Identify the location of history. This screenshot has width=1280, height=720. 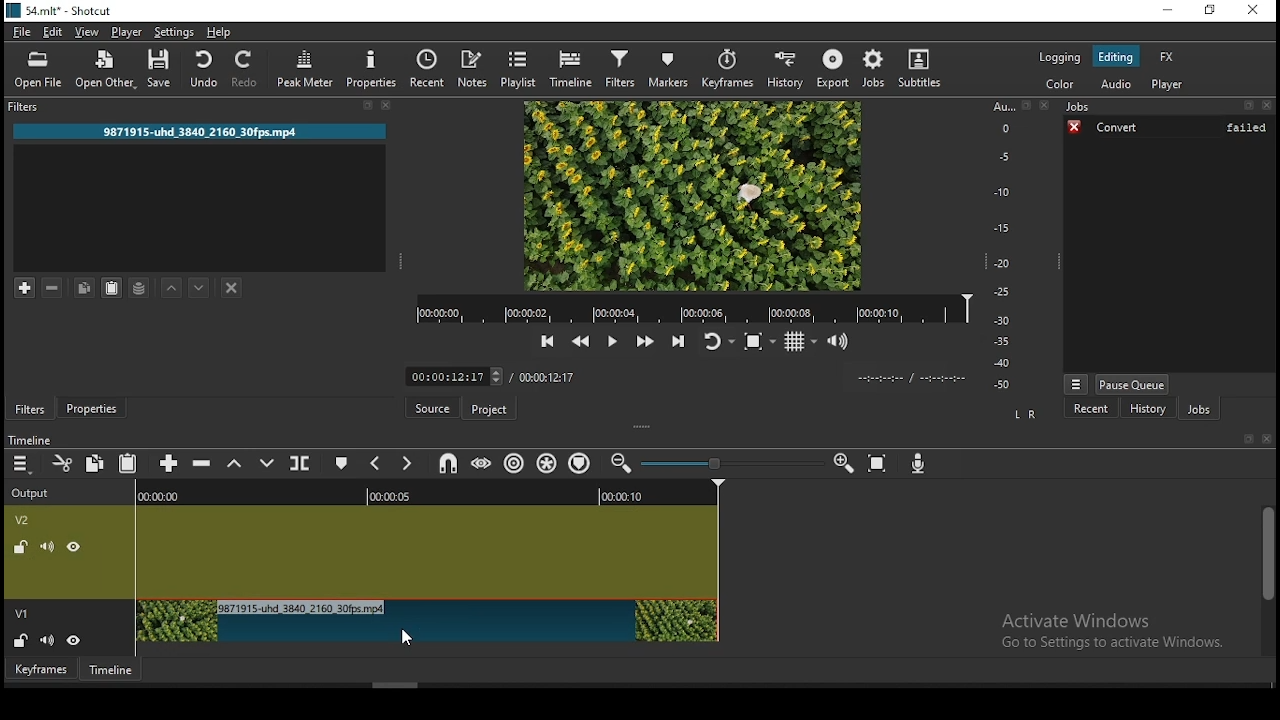
(1145, 408).